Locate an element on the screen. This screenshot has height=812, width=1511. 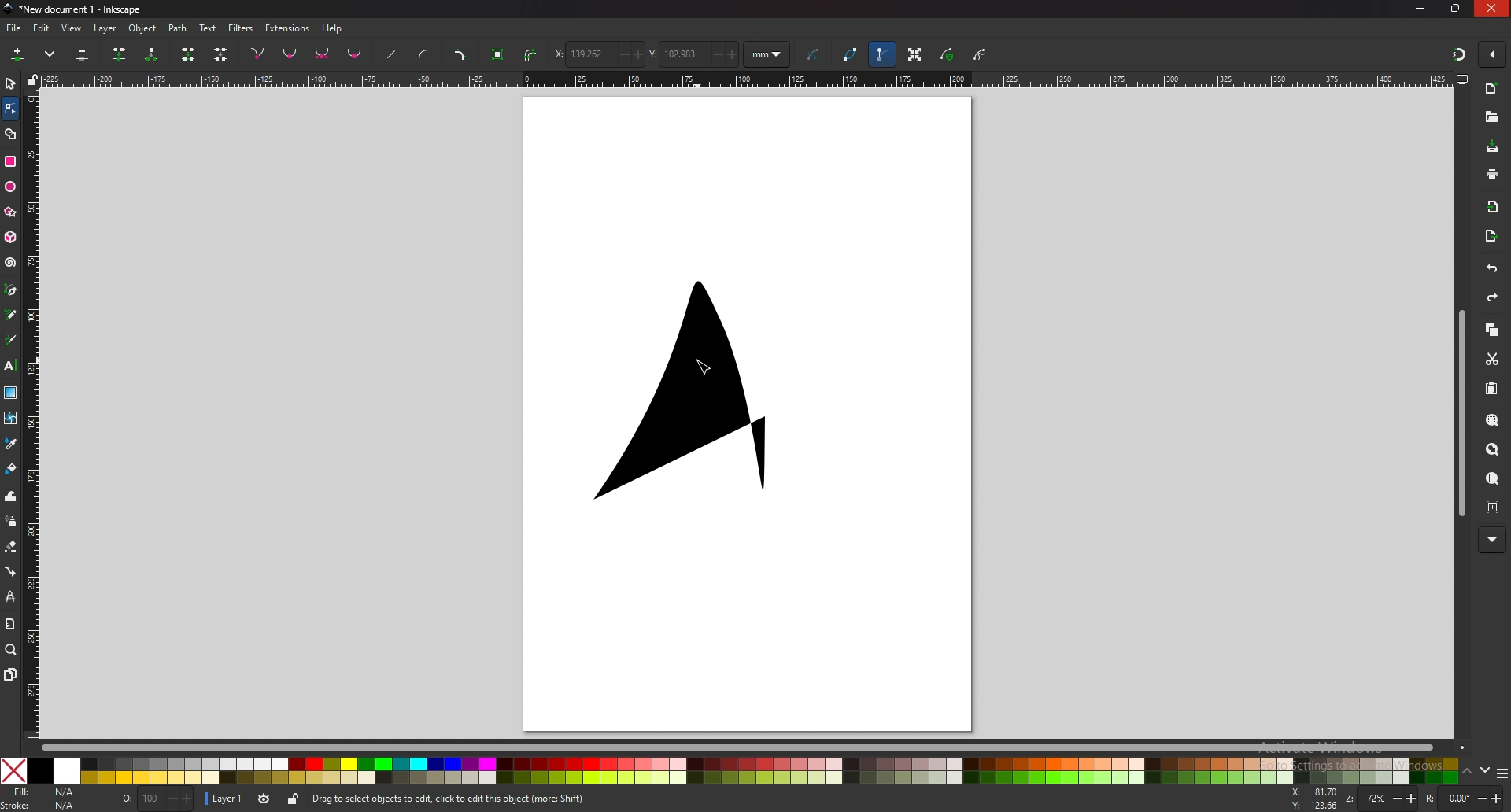
zoom is located at coordinates (1381, 798).